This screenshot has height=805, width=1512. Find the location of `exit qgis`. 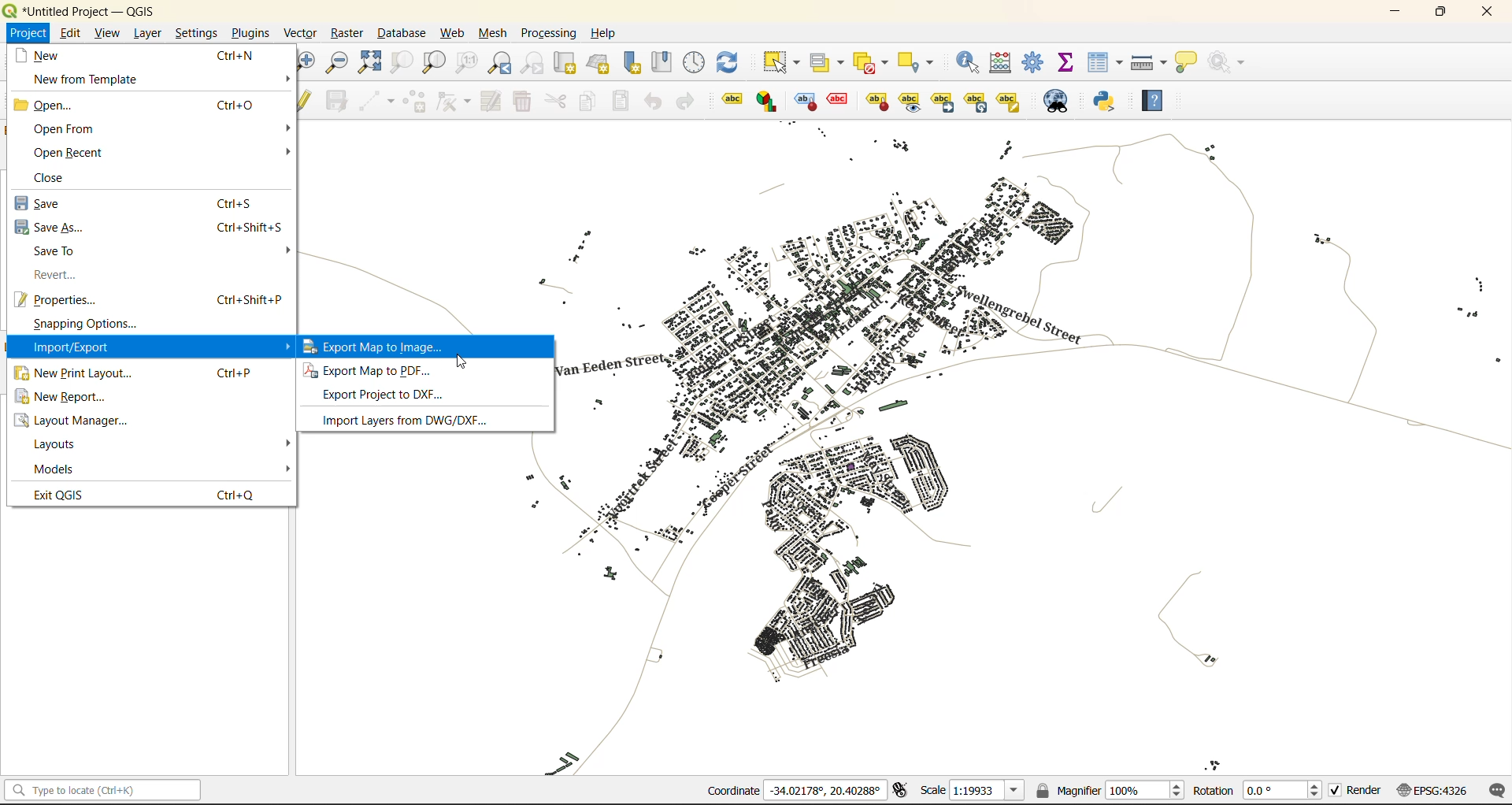

exit qgis is located at coordinates (65, 494).